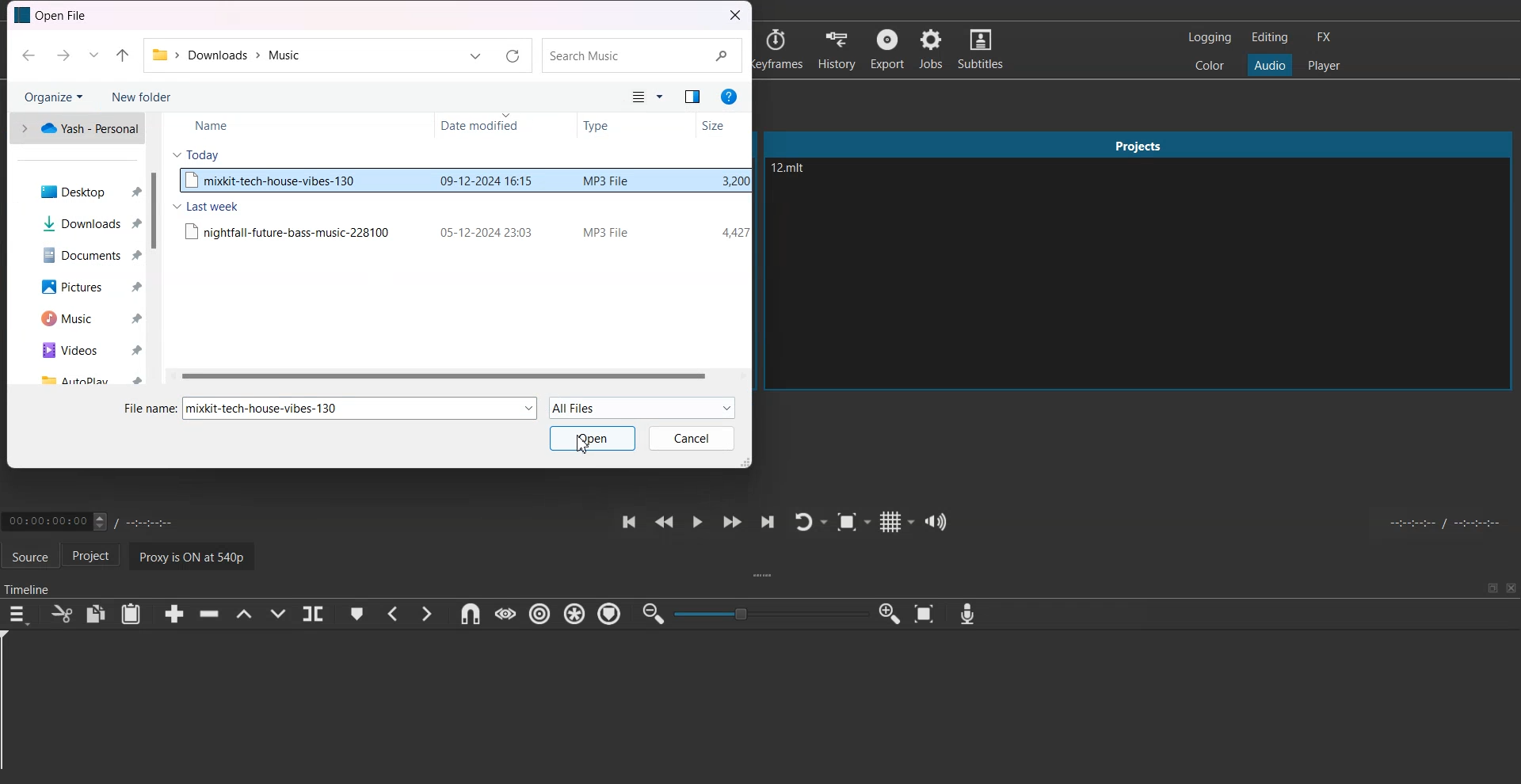 The image size is (1521, 784). I want to click on Close, so click(1511, 588).